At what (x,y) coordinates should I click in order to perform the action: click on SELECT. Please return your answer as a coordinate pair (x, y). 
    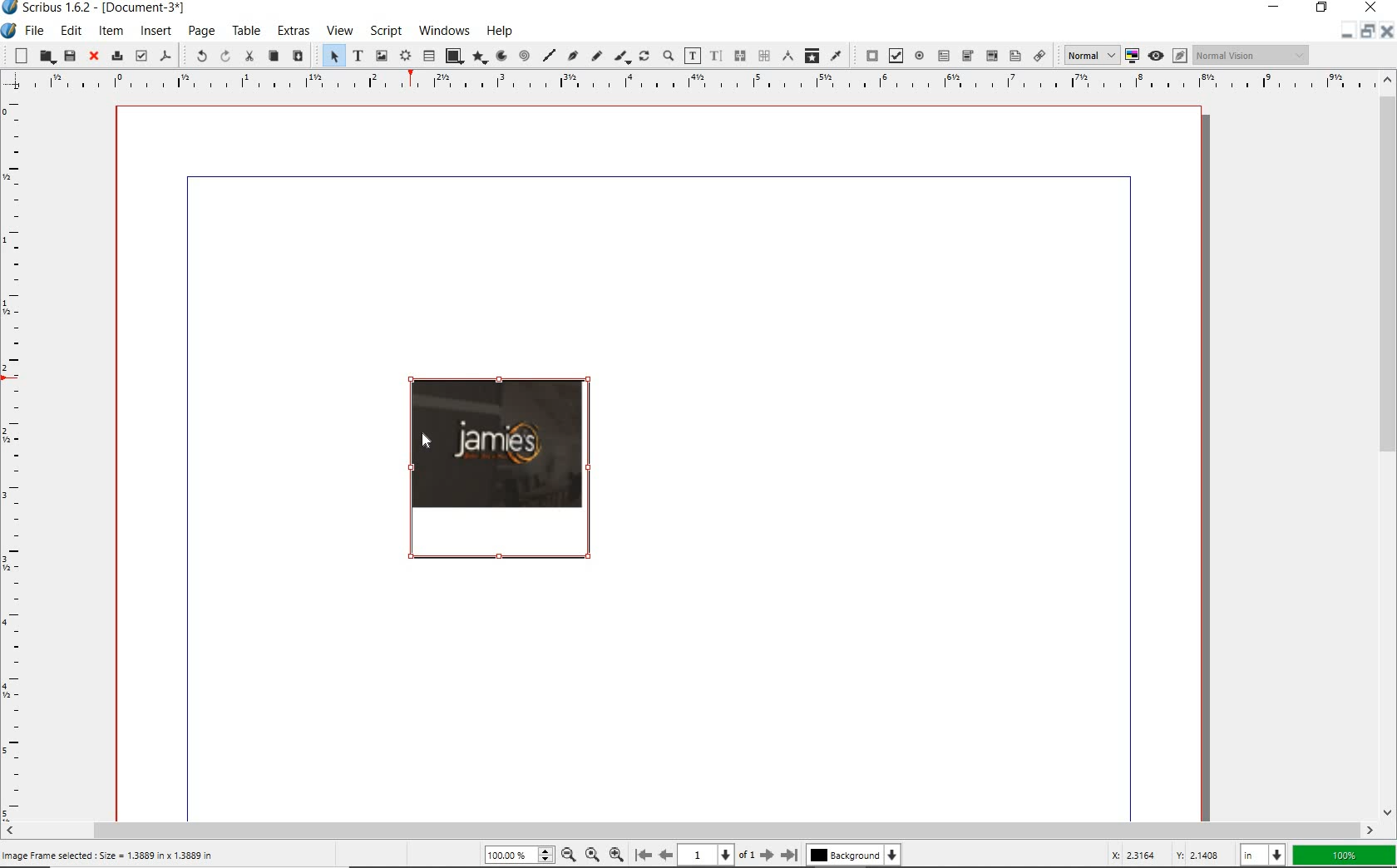
    Looking at the image, I should click on (333, 55).